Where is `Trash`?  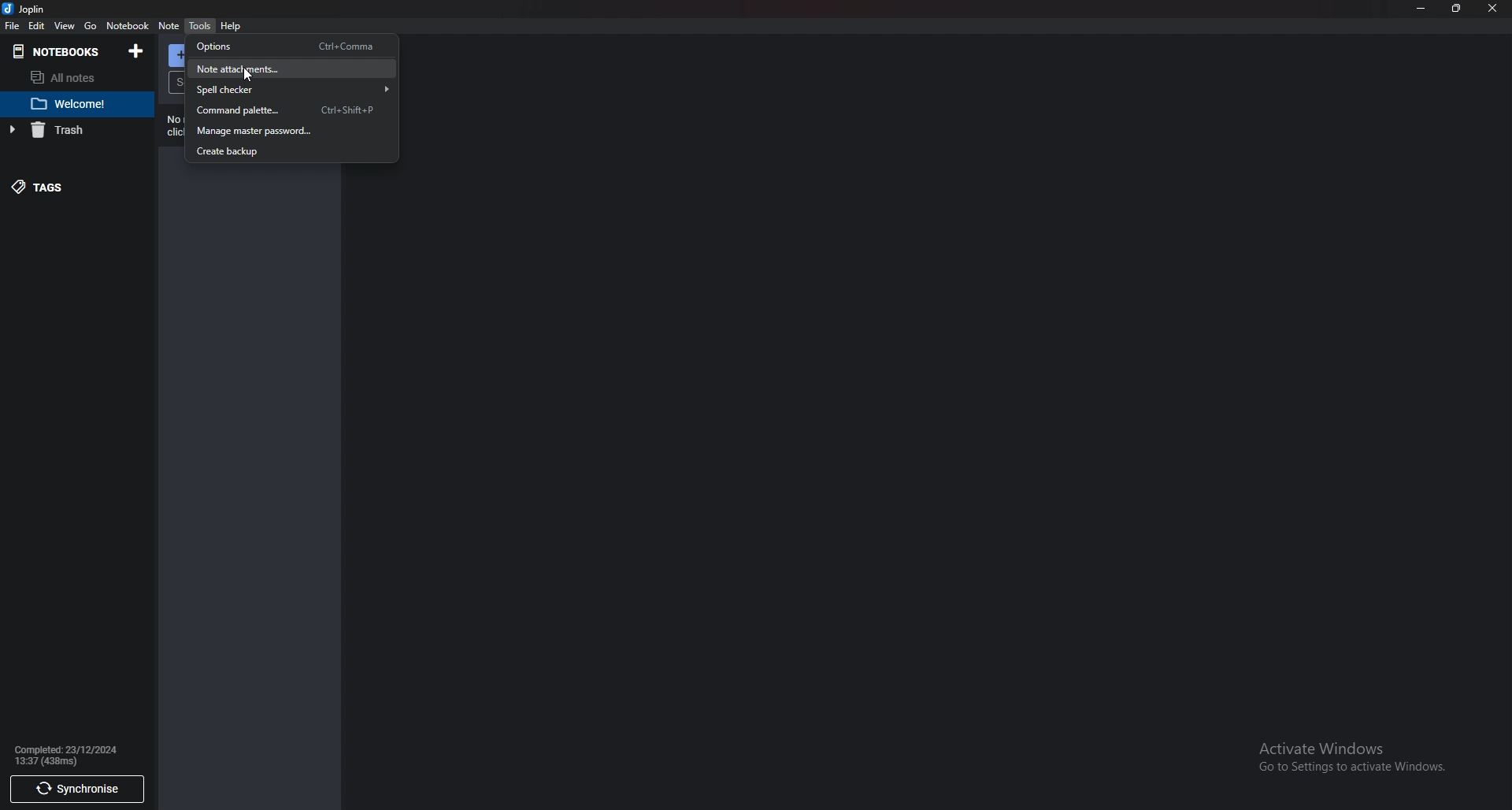 Trash is located at coordinates (66, 131).